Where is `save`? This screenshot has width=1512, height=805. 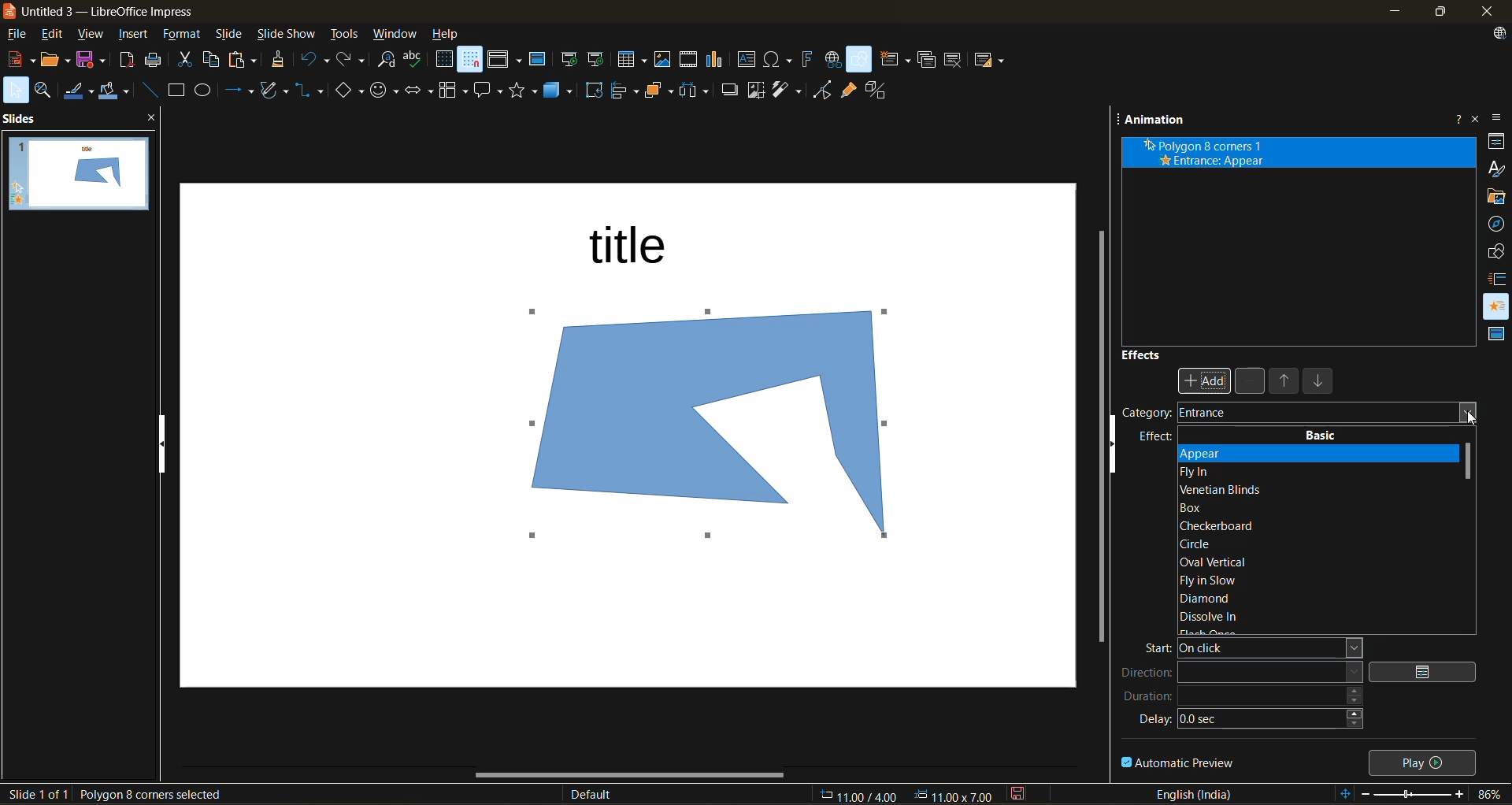 save is located at coordinates (92, 60).